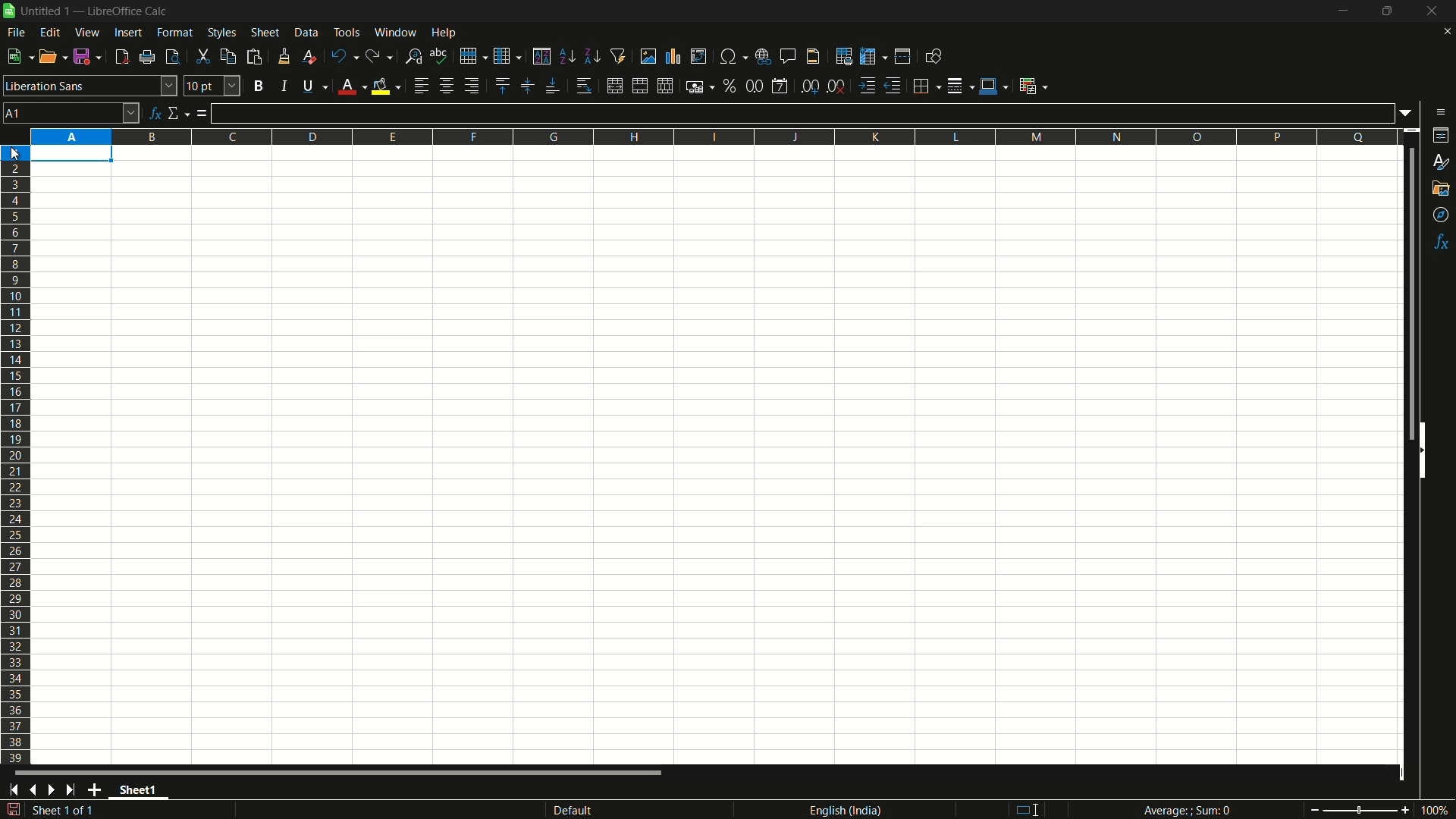  Describe the element at coordinates (666, 86) in the screenshot. I see `unmerge cells` at that location.